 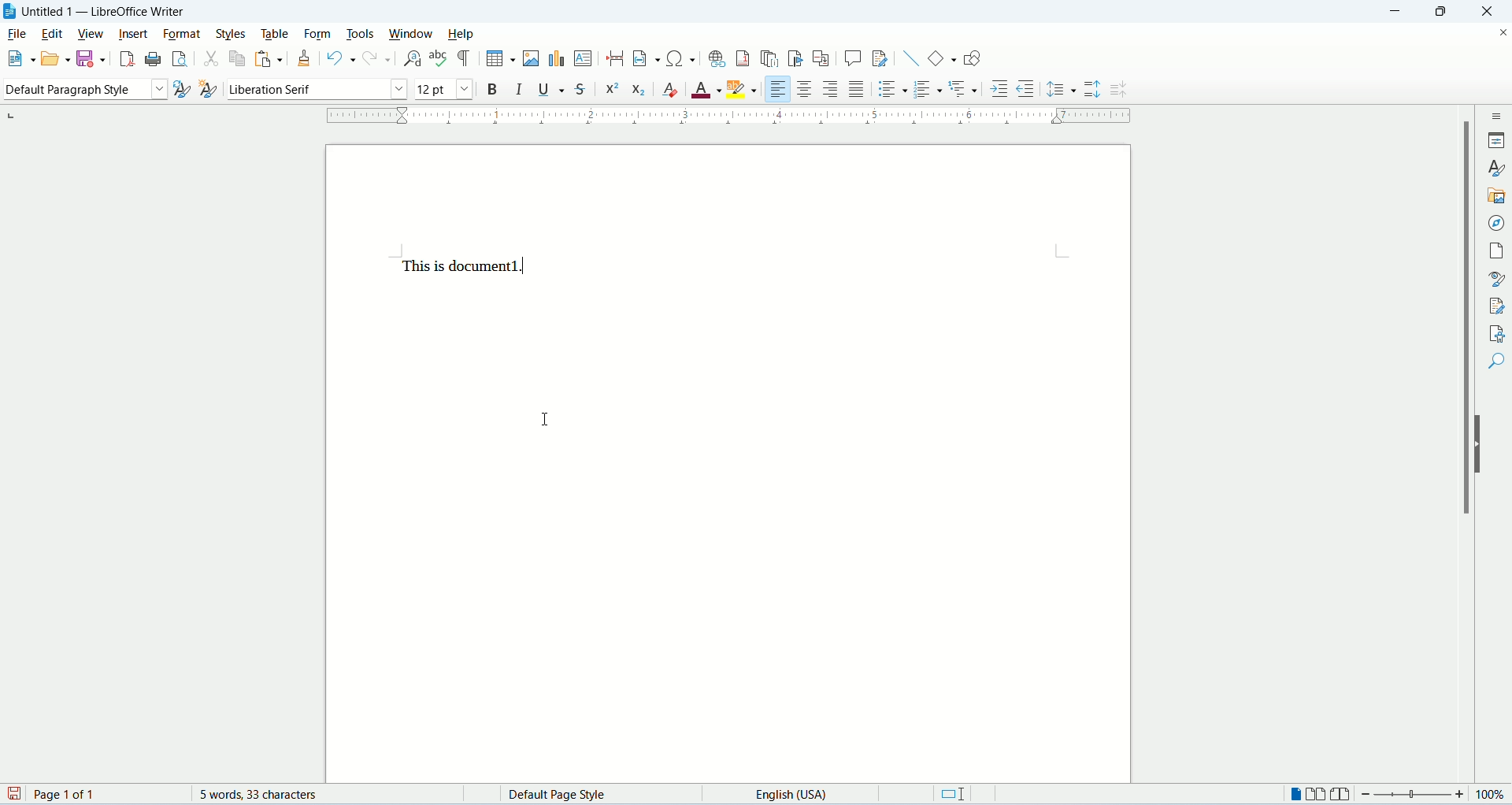 What do you see at coordinates (1093, 90) in the screenshot?
I see `increase paragraph spacing` at bounding box center [1093, 90].